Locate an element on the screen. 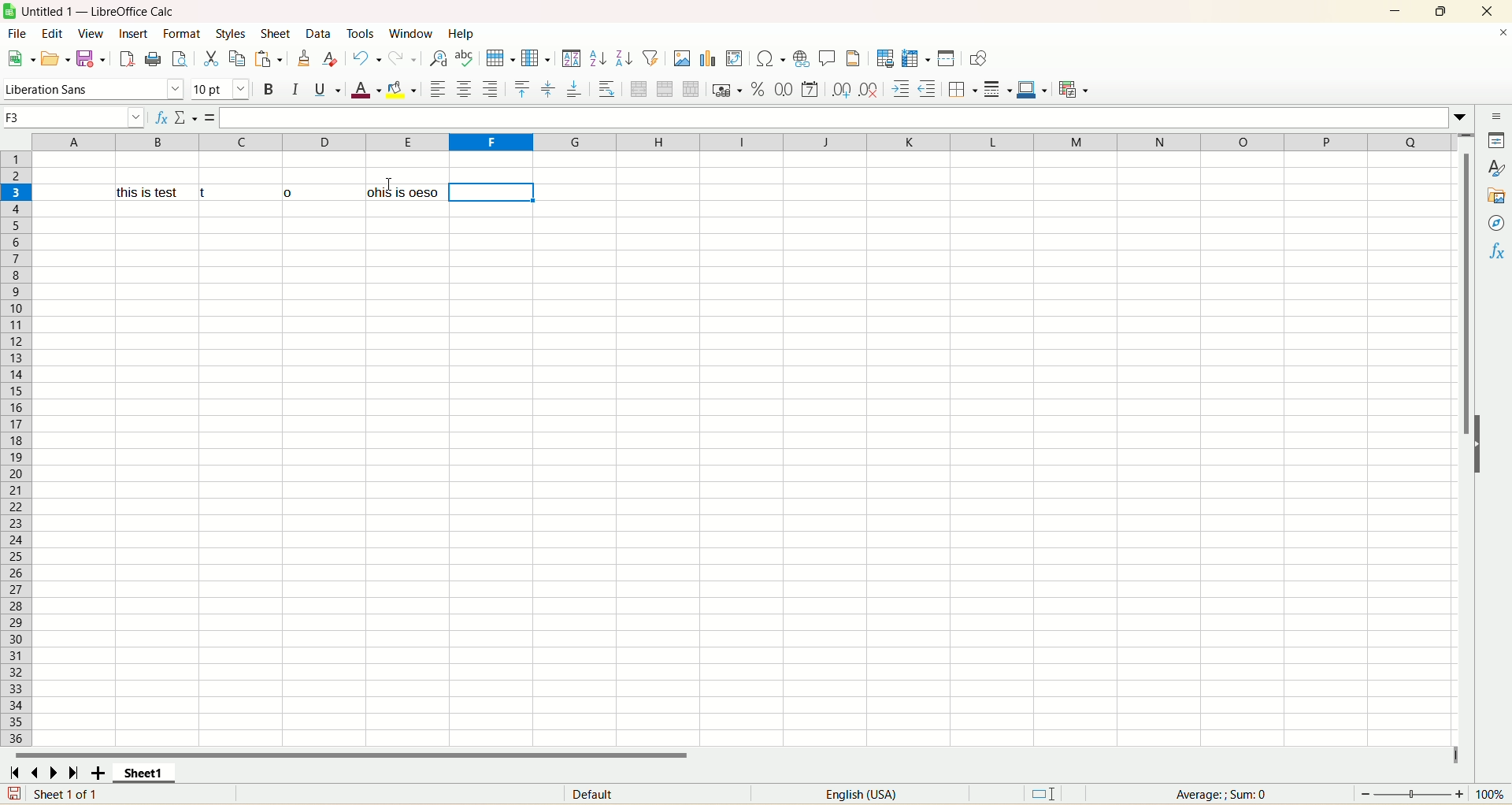  freeze row and column is located at coordinates (915, 60).